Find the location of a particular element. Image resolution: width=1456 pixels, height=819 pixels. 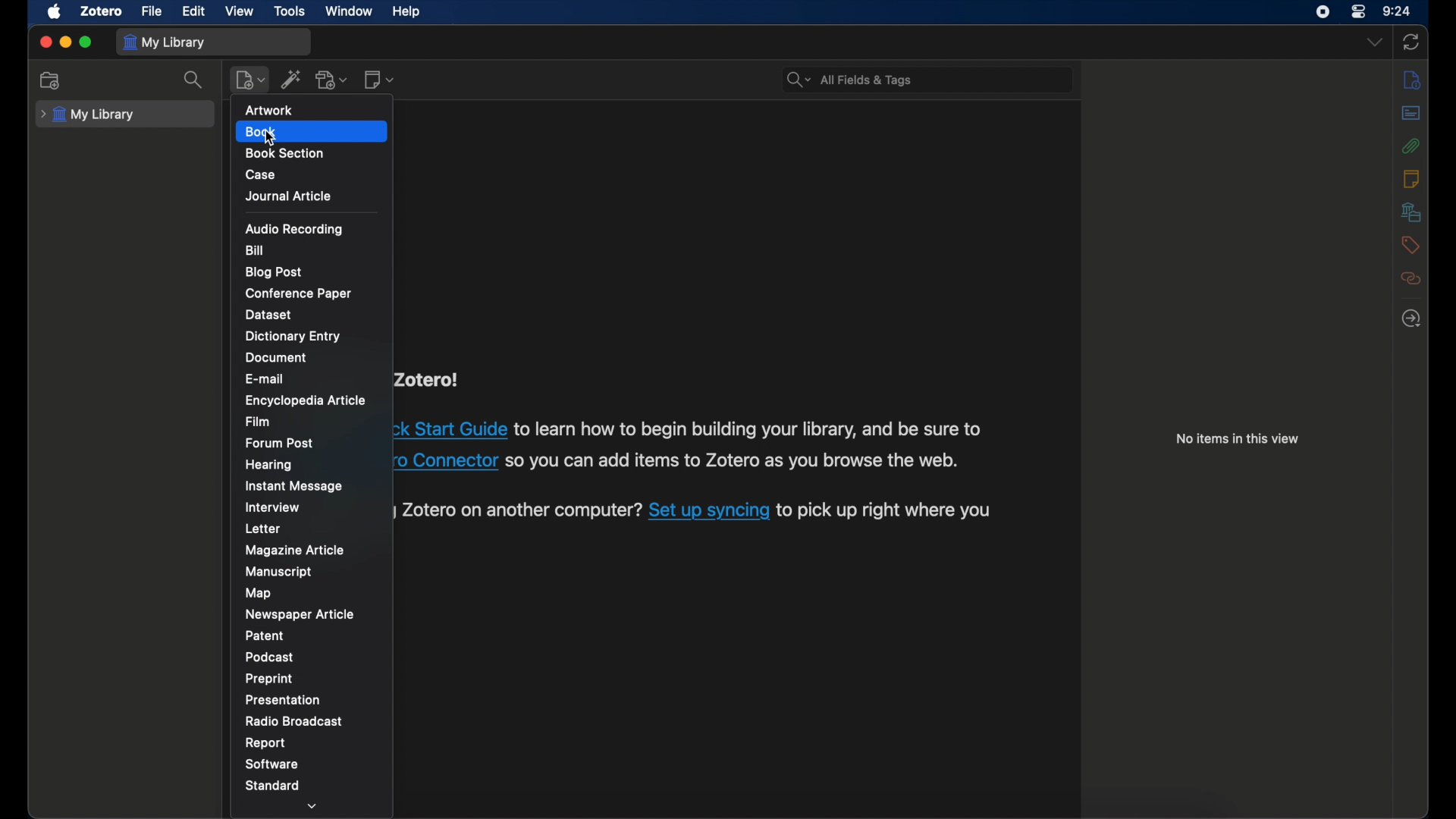

audio recording is located at coordinates (294, 228).